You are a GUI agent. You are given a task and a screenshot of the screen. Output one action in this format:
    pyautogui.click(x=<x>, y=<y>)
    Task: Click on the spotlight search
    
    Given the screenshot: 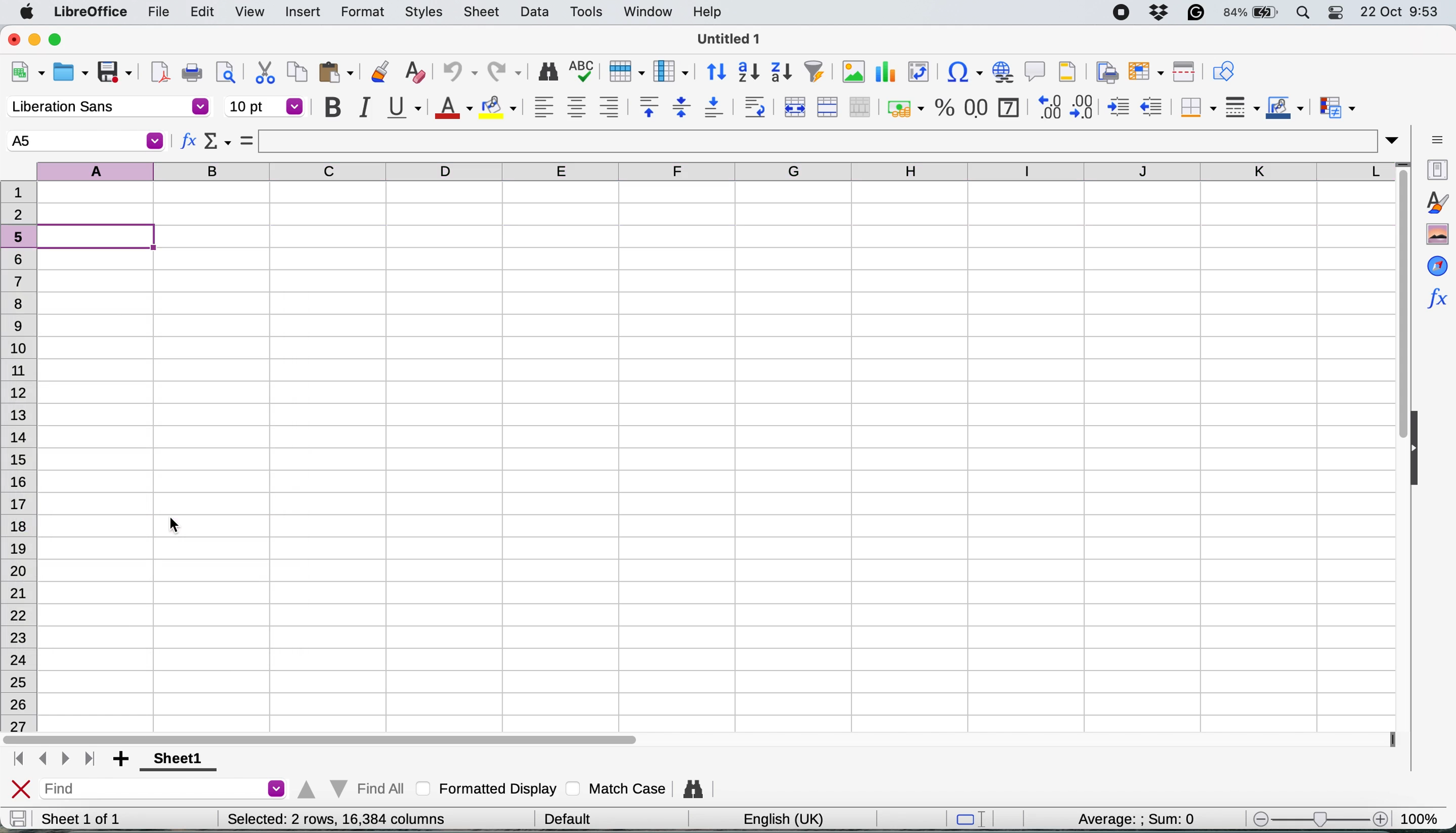 What is the action you would take?
    pyautogui.click(x=1304, y=13)
    